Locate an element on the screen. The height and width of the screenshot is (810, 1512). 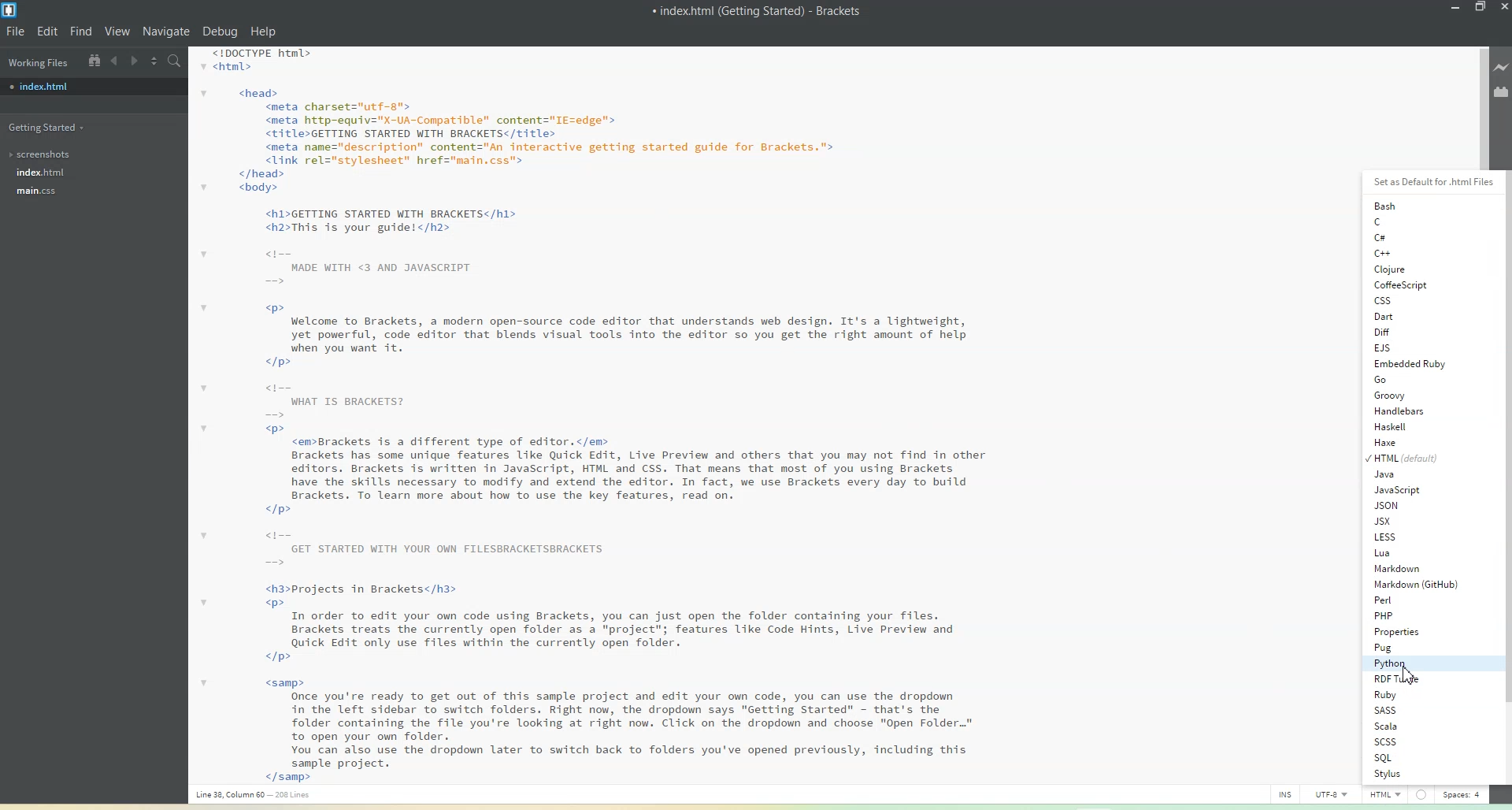
Stylus is located at coordinates (1418, 774).